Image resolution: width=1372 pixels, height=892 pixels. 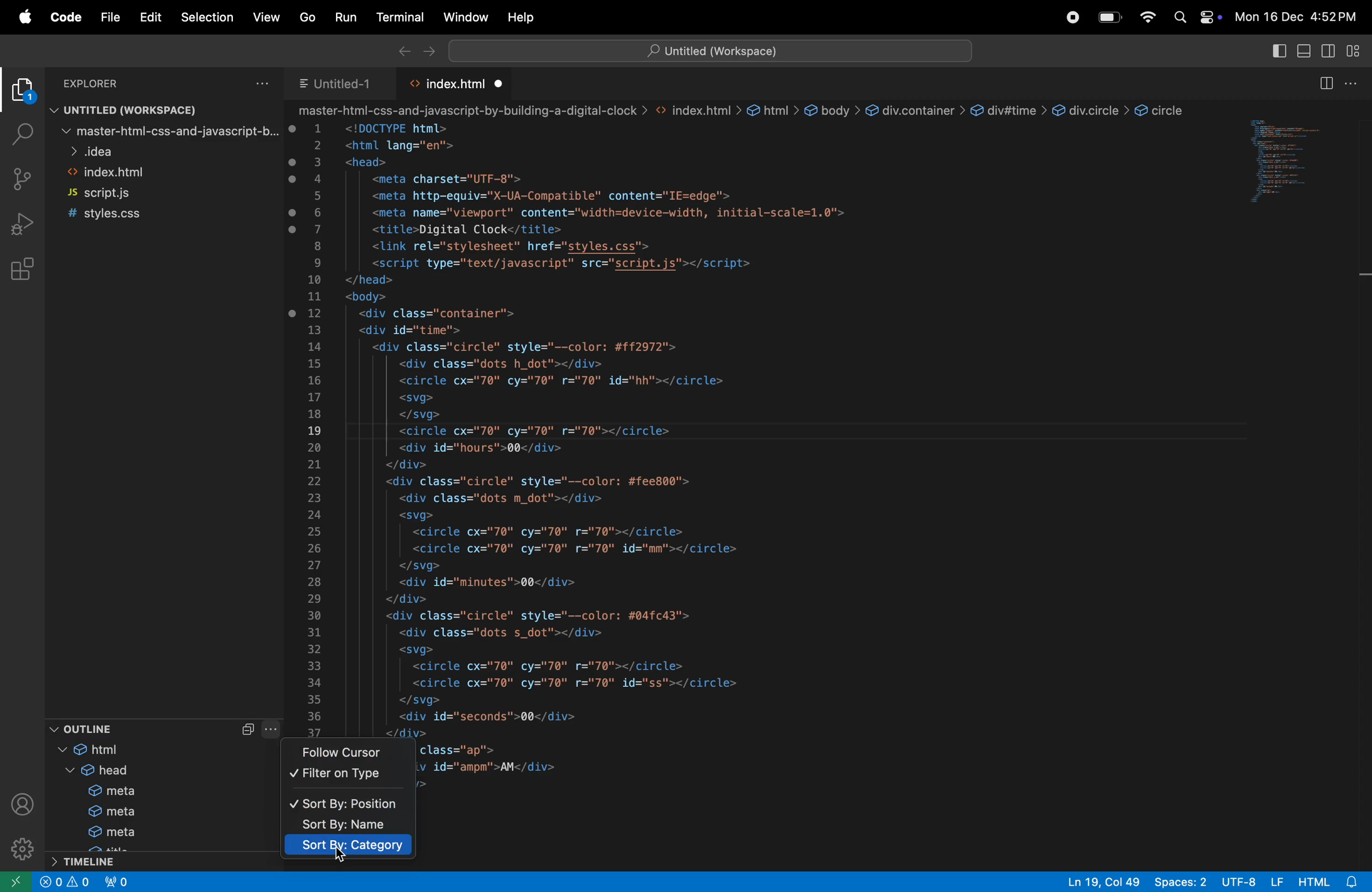 I want to click on html alert, so click(x=1325, y=882).